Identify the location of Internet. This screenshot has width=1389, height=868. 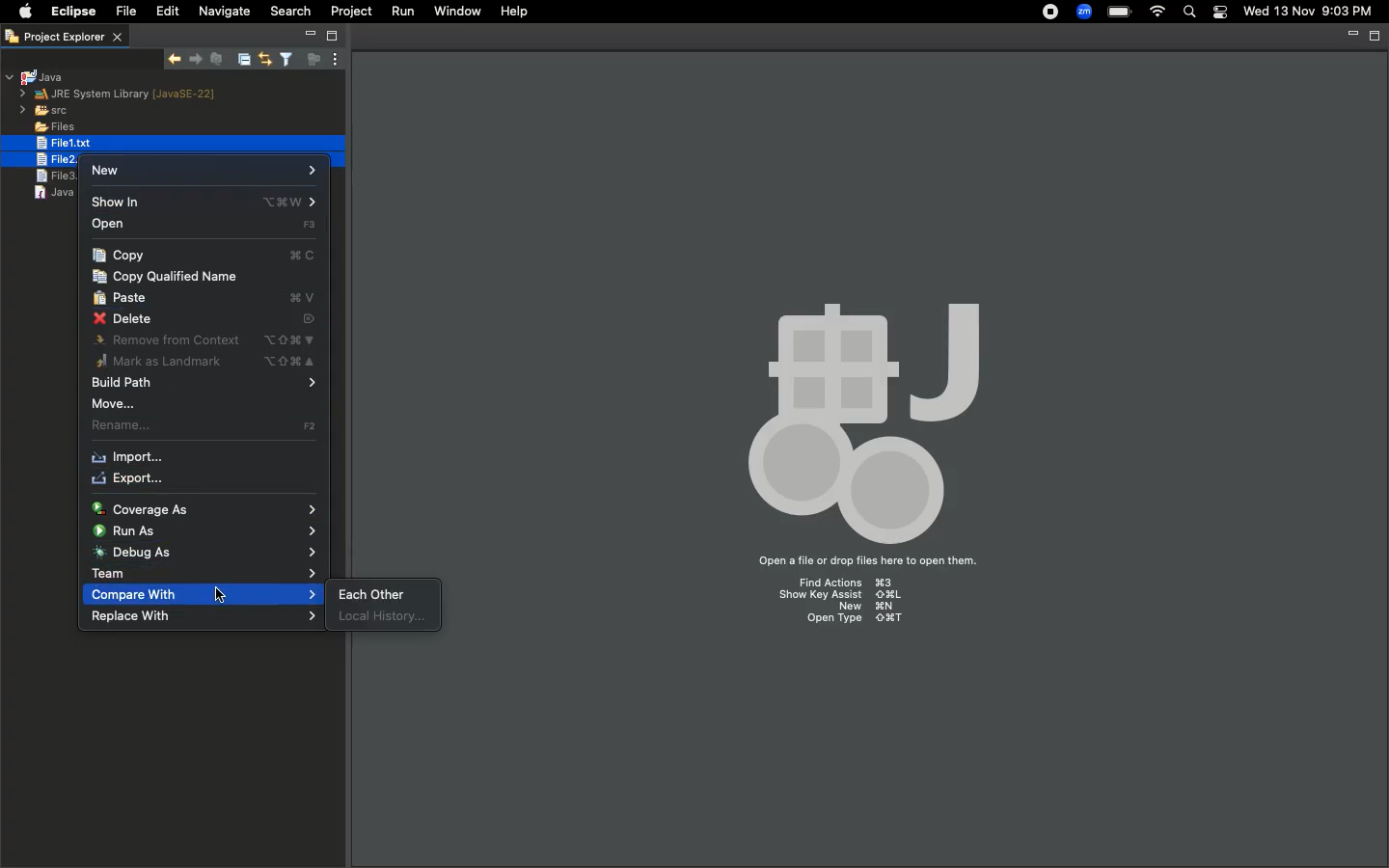
(1158, 12).